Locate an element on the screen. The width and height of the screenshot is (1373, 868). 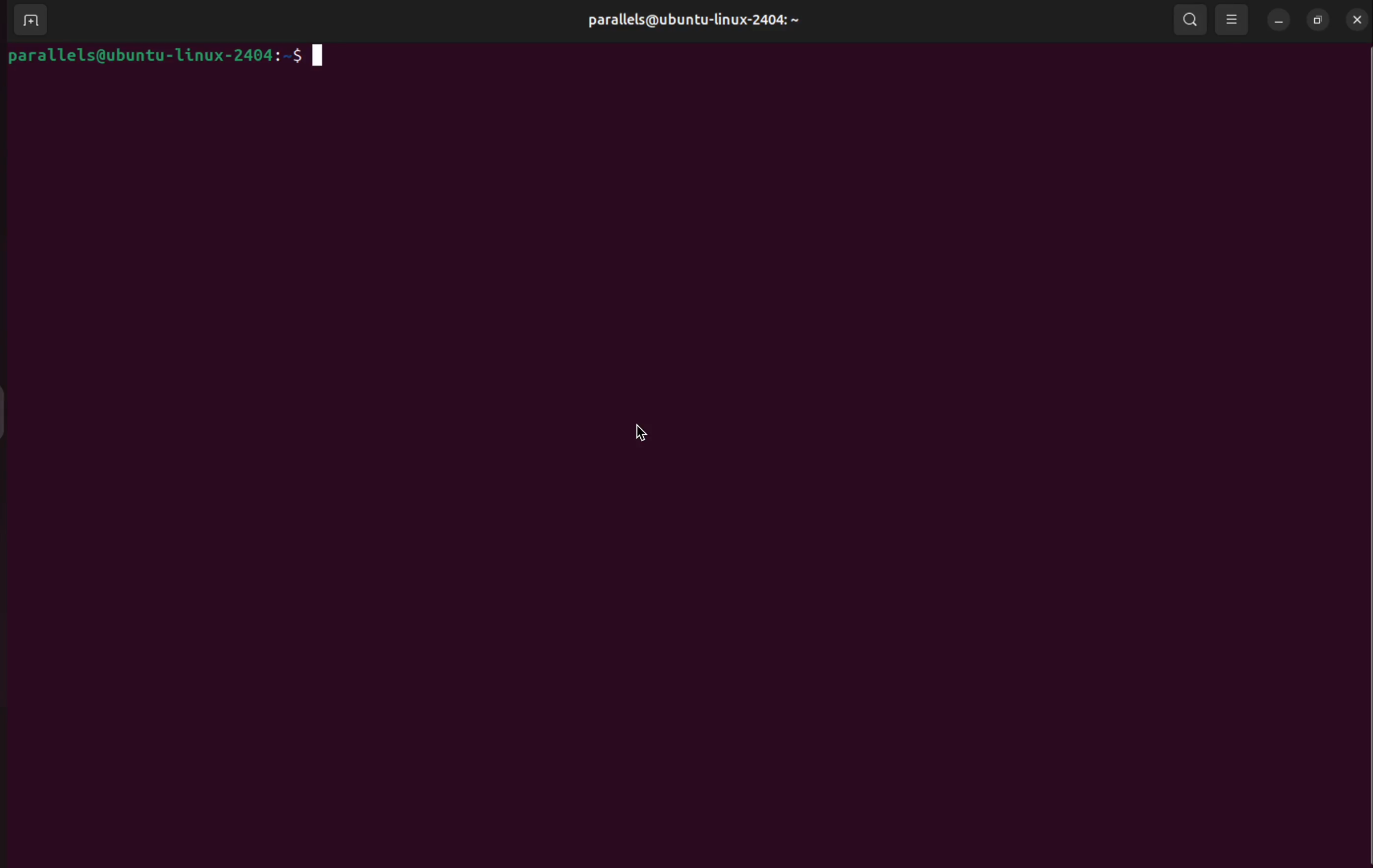
search is located at coordinates (1187, 18).